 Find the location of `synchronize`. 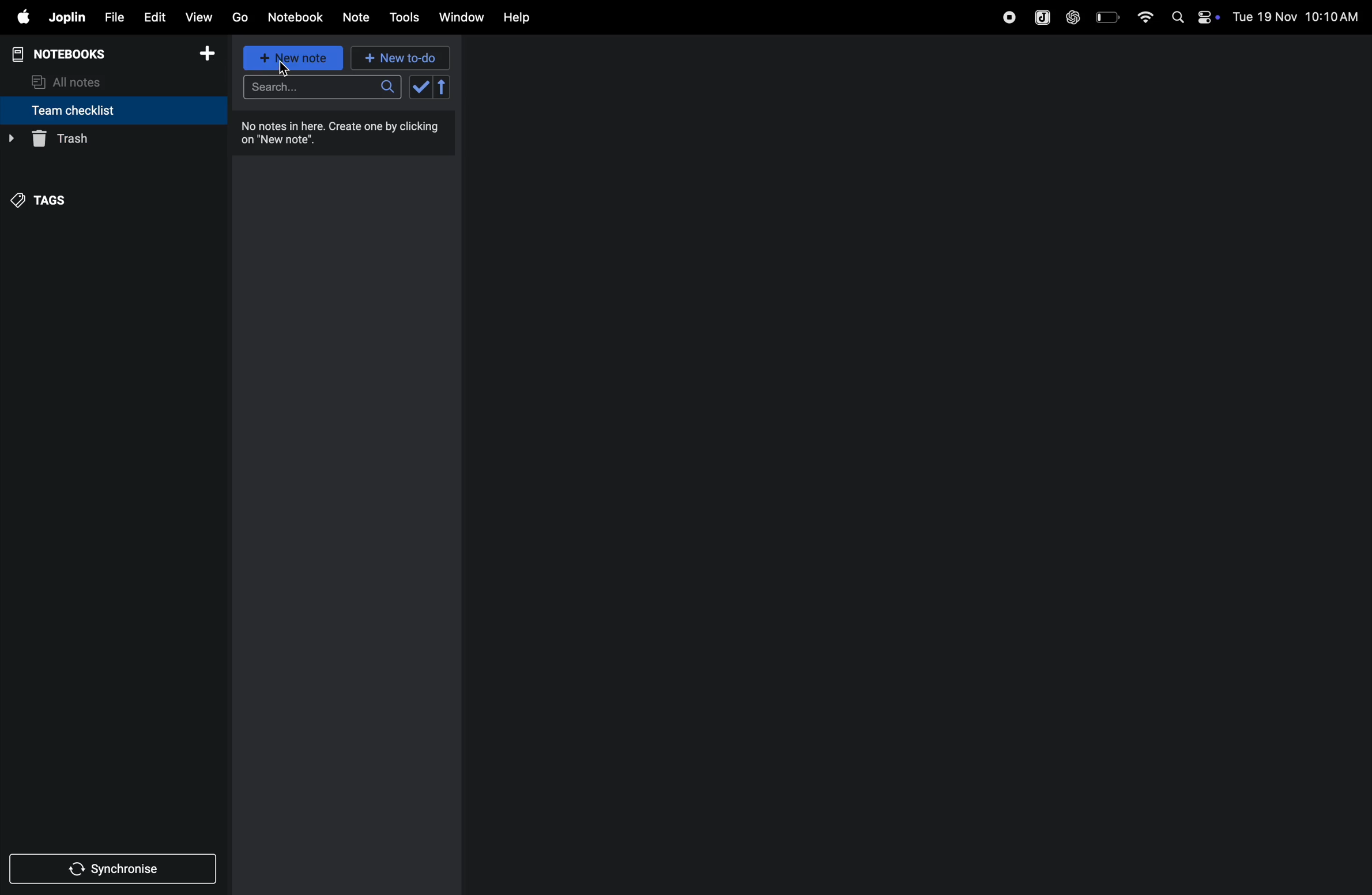

synchronize is located at coordinates (115, 868).